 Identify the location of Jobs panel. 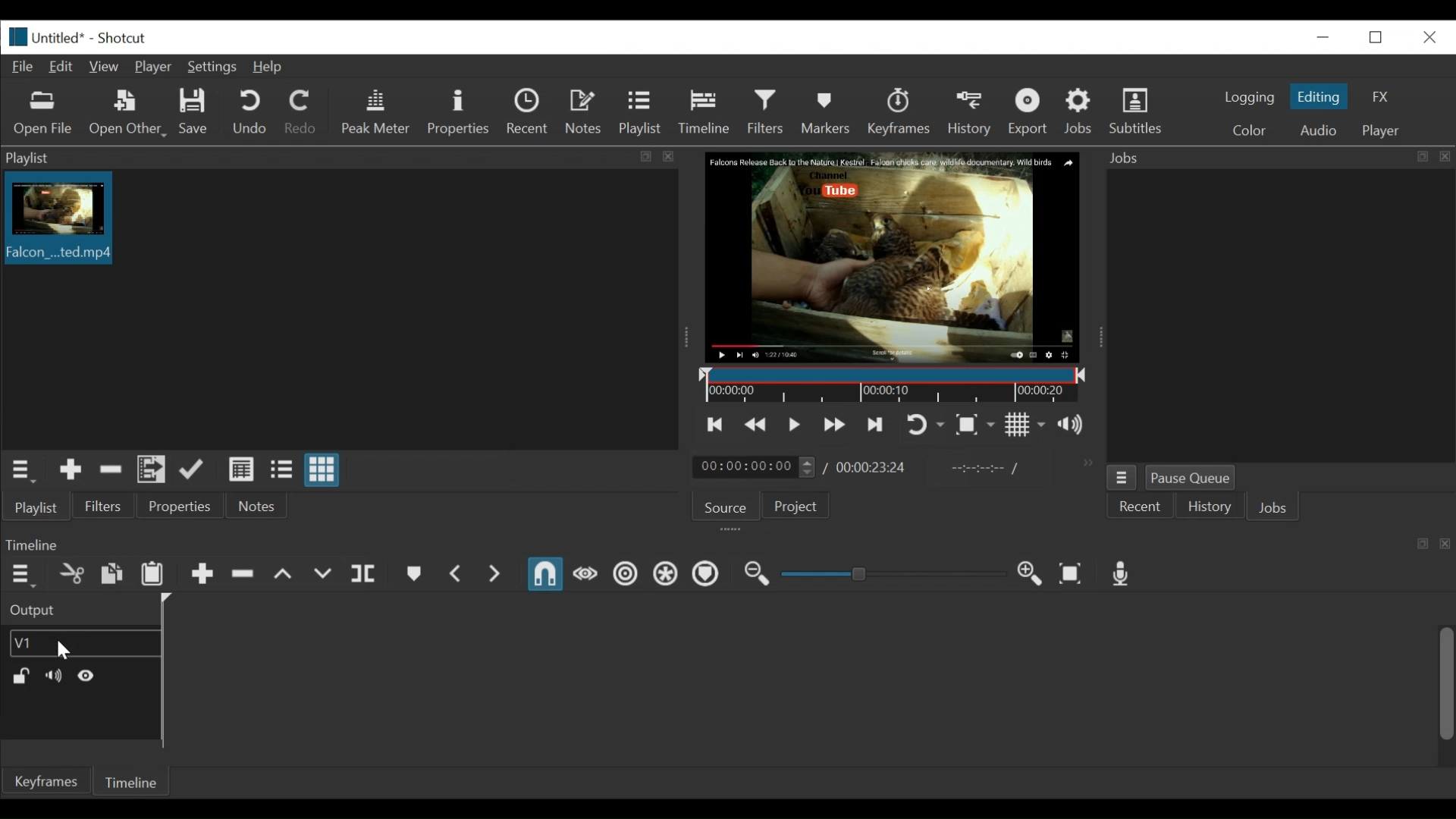
(1272, 315).